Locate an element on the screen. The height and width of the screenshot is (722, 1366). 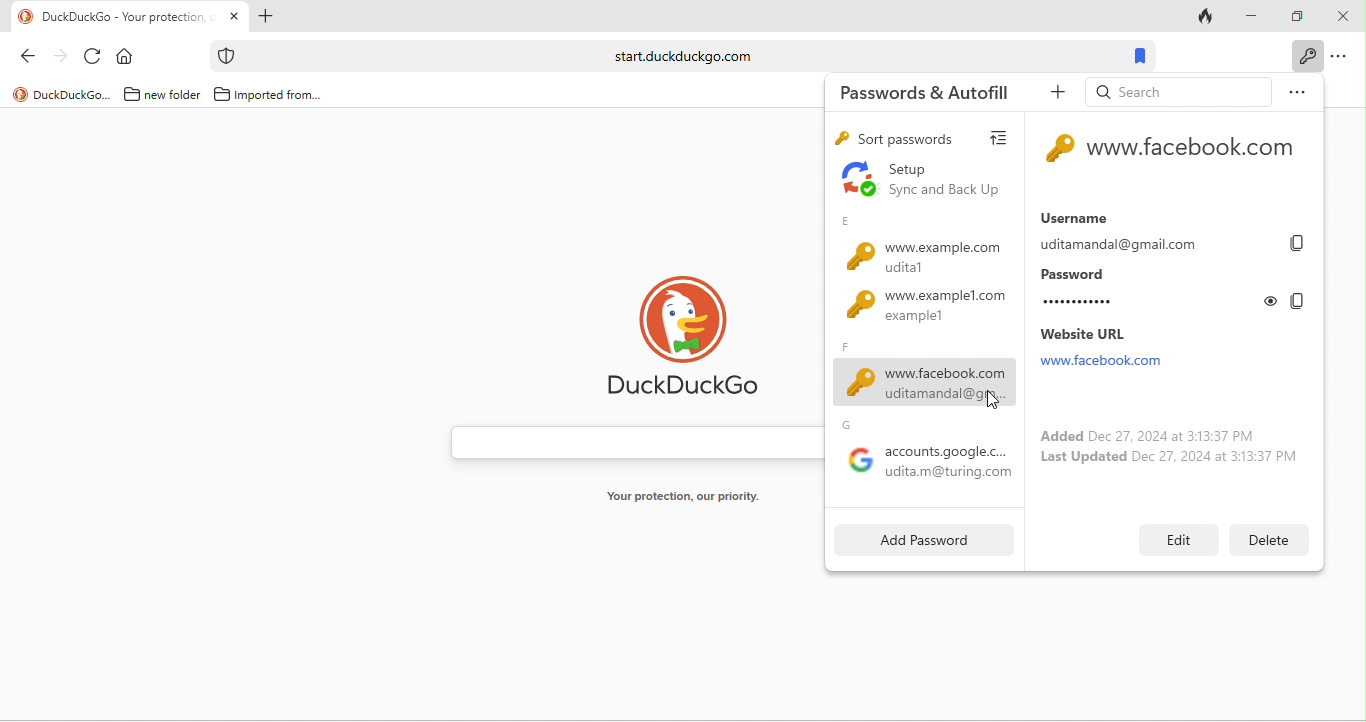
www.facebook.com is located at coordinates (921, 375).